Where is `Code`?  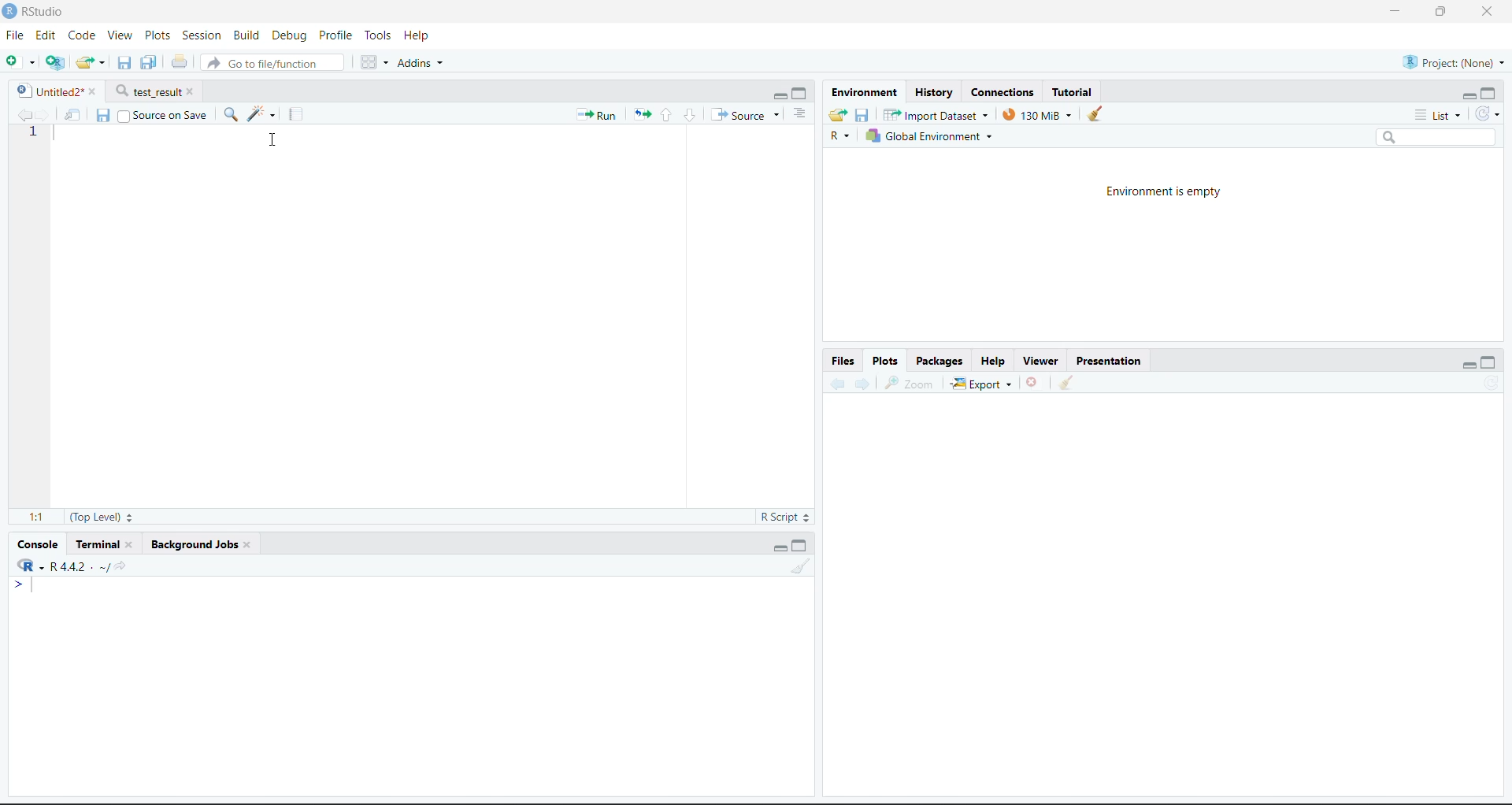 Code is located at coordinates (80, 35).